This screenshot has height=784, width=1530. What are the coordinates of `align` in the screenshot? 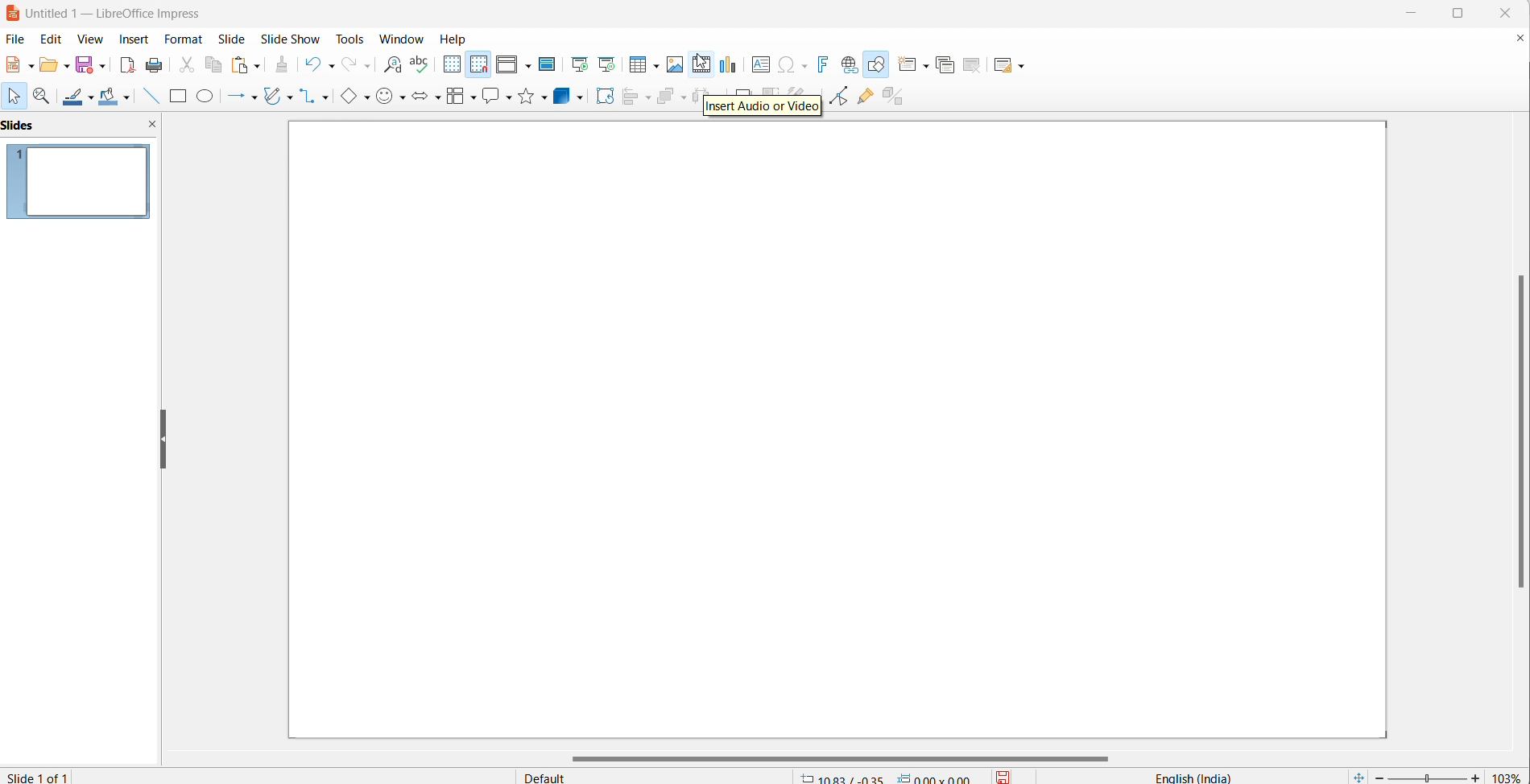 It's located at (629, 97).